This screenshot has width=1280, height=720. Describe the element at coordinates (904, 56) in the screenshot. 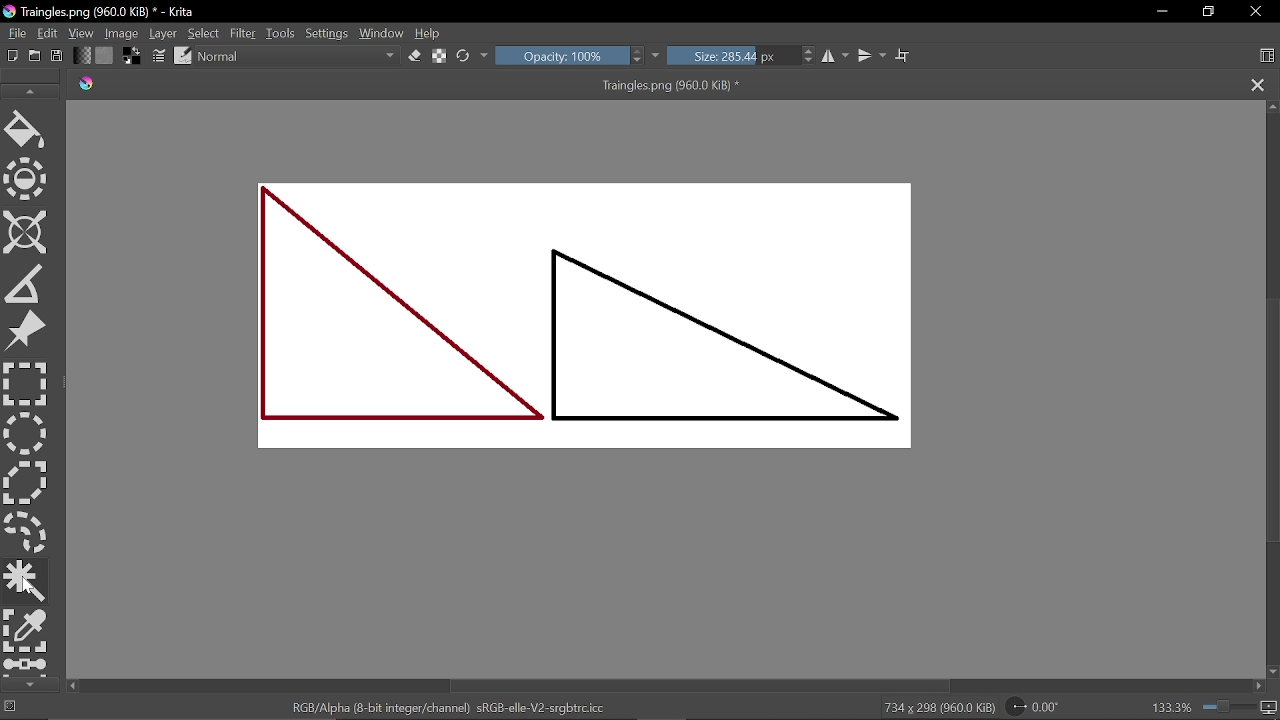

I see `Wrap text ` at that location.